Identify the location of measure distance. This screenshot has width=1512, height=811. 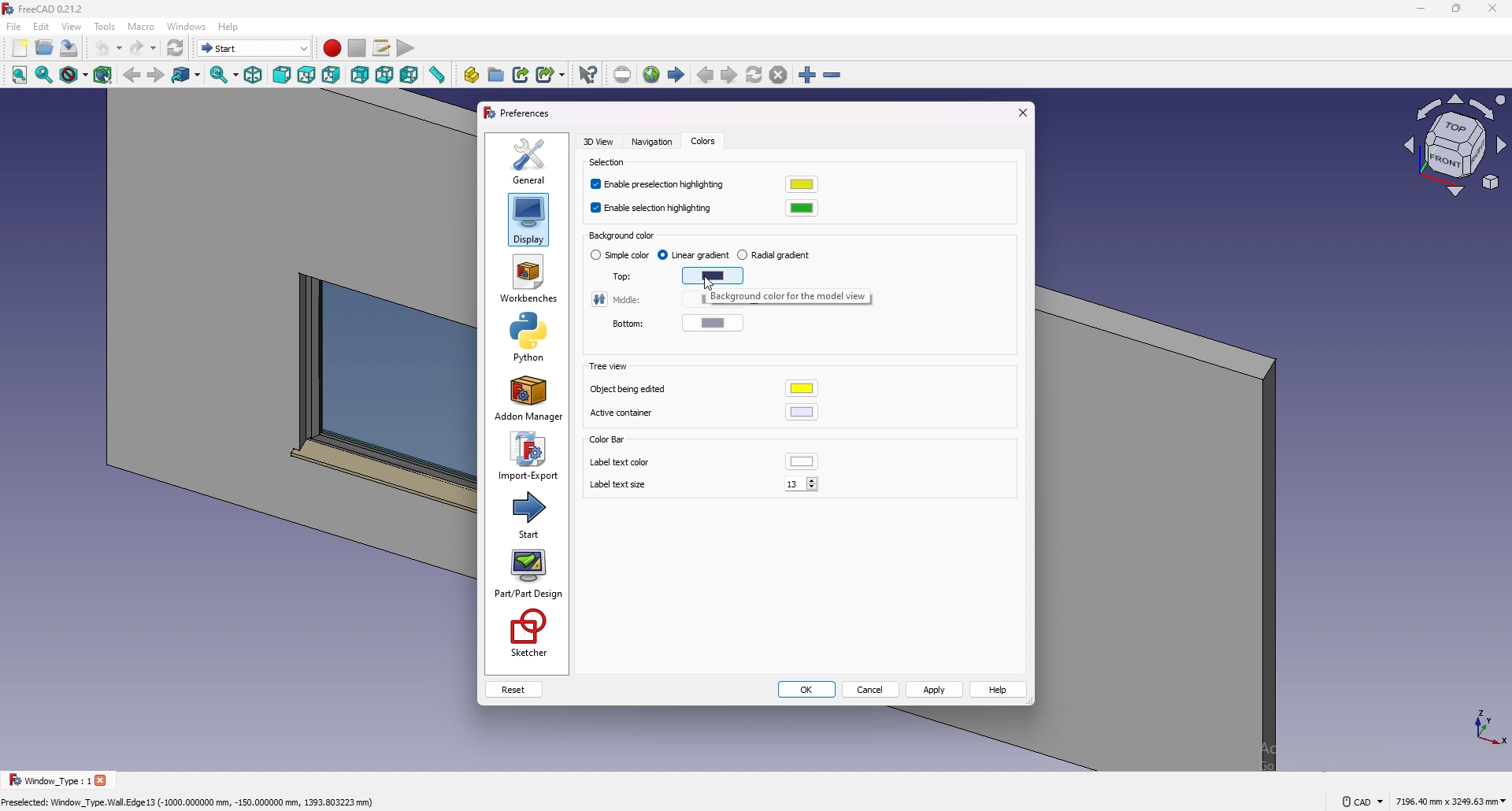
(438, 75).